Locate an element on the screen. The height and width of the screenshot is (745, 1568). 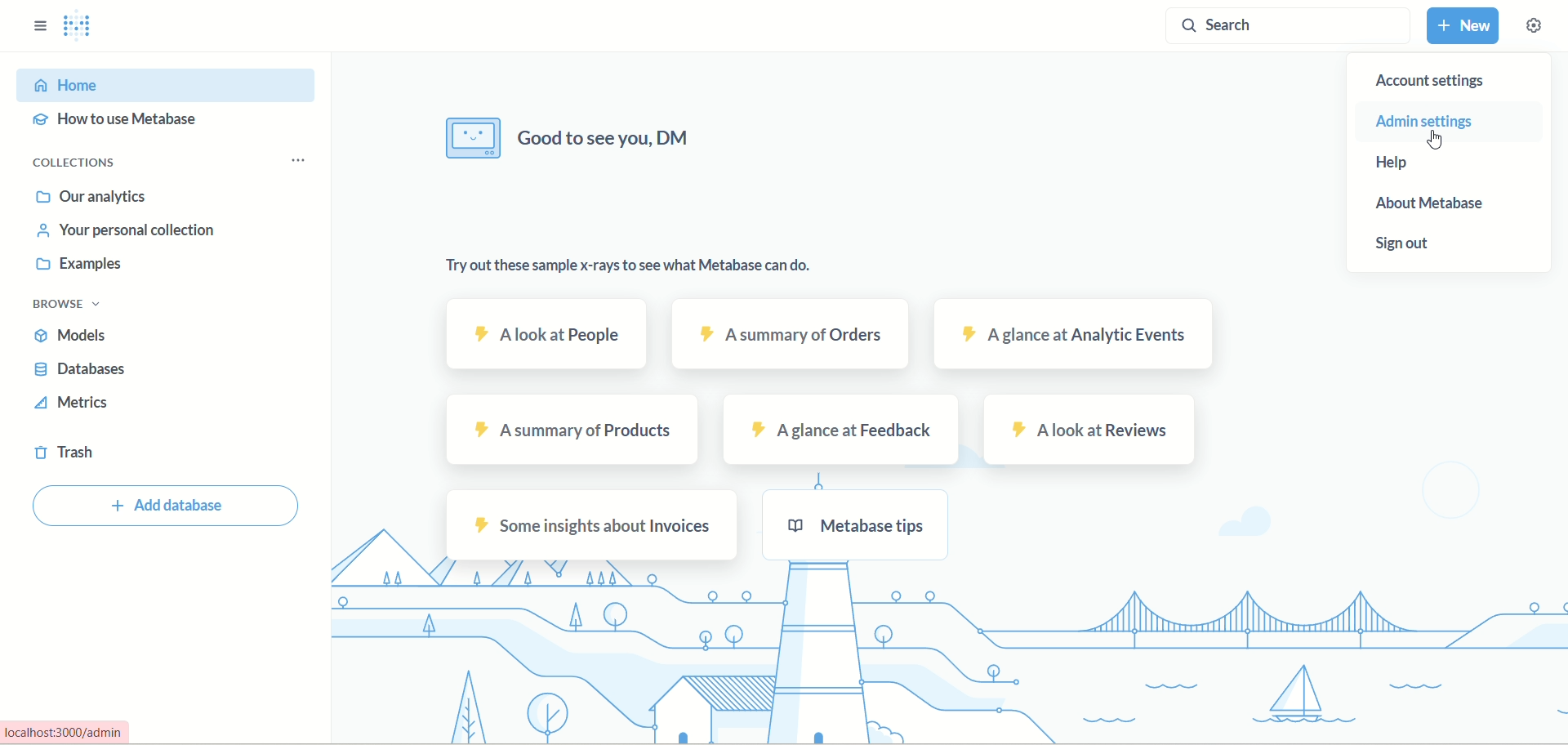
sign out is located at coordinates (1412, 248).